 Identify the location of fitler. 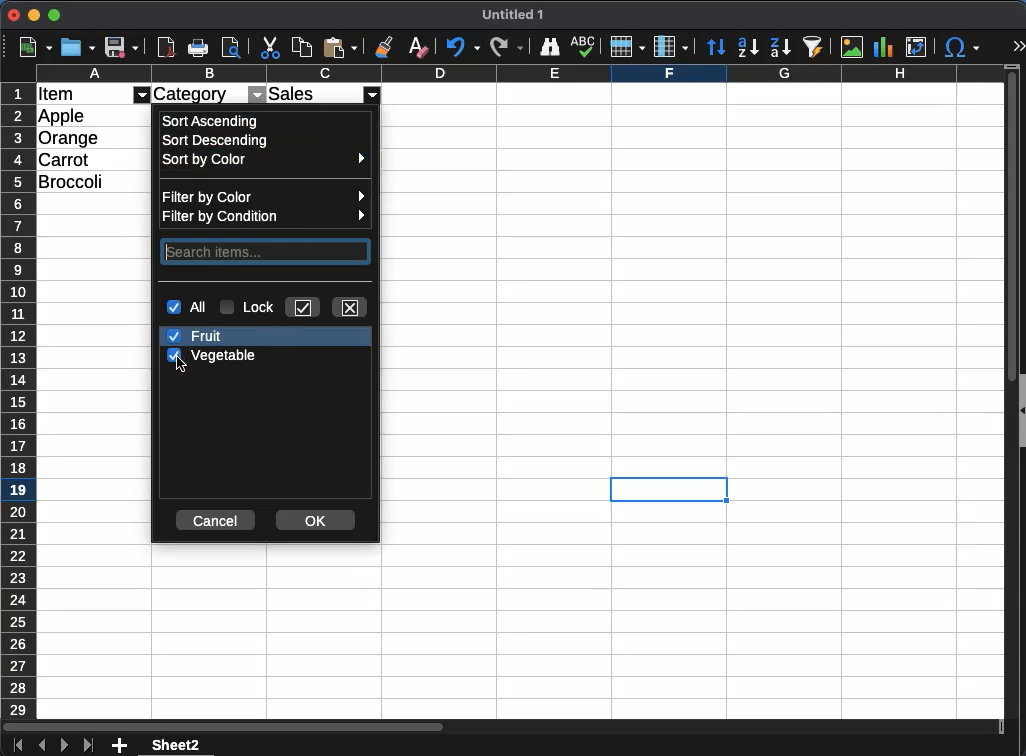
(144, 94).